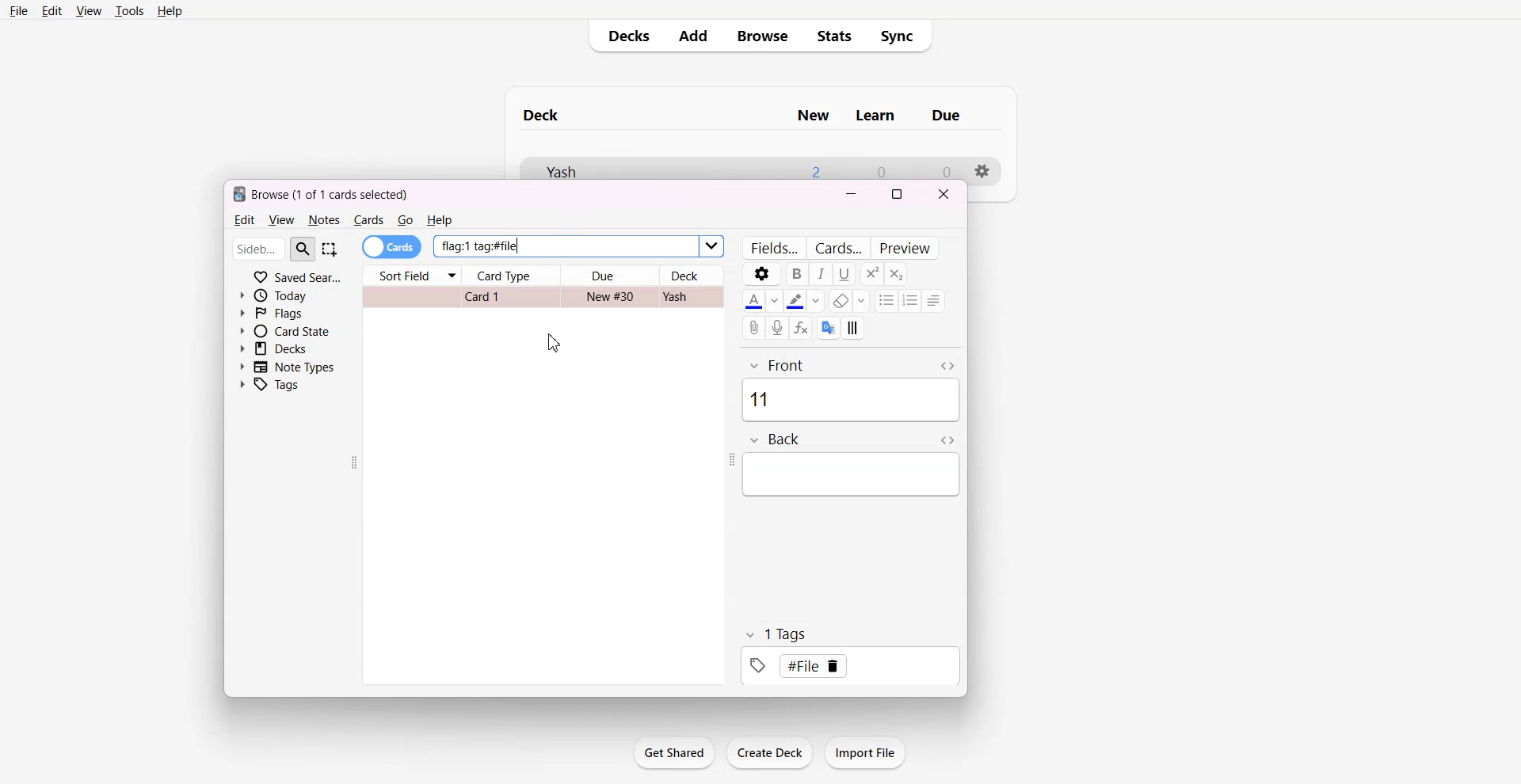 Image resolution: width=1521 pixels, height=784 pixels. What do you see at coordinates (774, 634) in the screenshot?
I see `Tag` at bounding box center [774, 634].